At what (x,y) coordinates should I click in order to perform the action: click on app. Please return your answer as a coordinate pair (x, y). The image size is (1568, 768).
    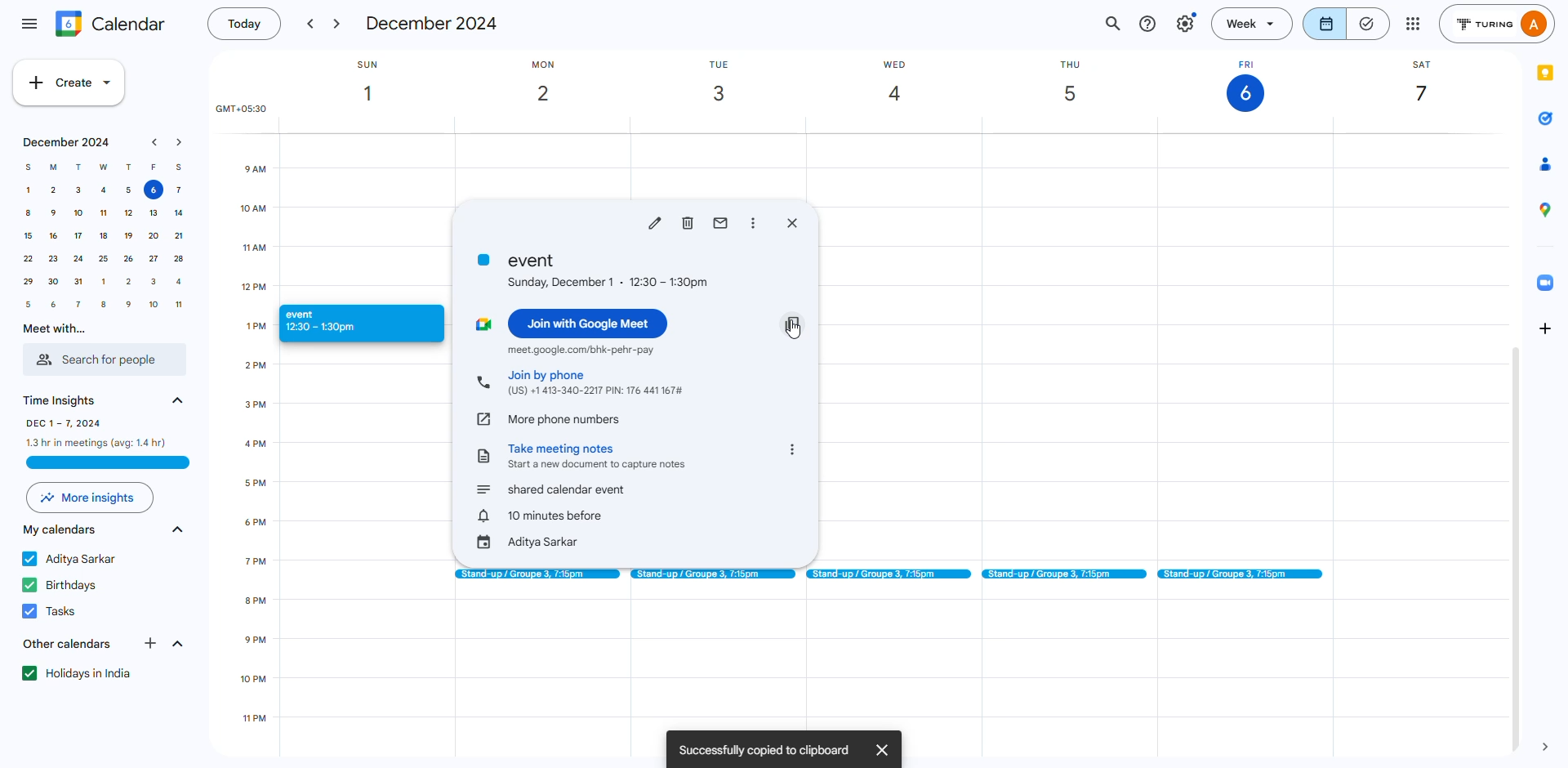
    Looking at the image, I should click on (1544, 118).